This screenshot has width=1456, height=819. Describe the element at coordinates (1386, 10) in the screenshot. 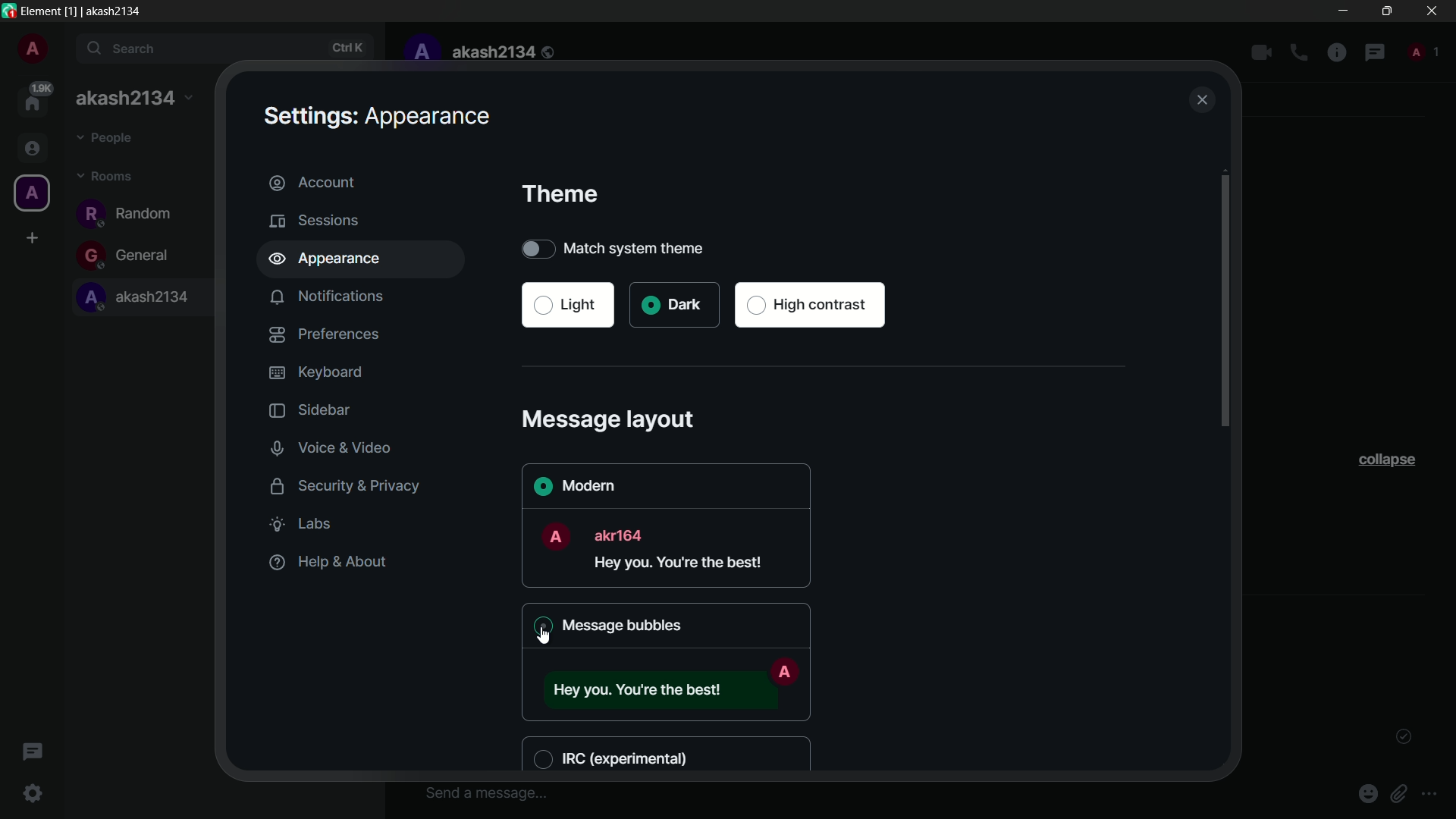

I see `maximize or restore` at that location.